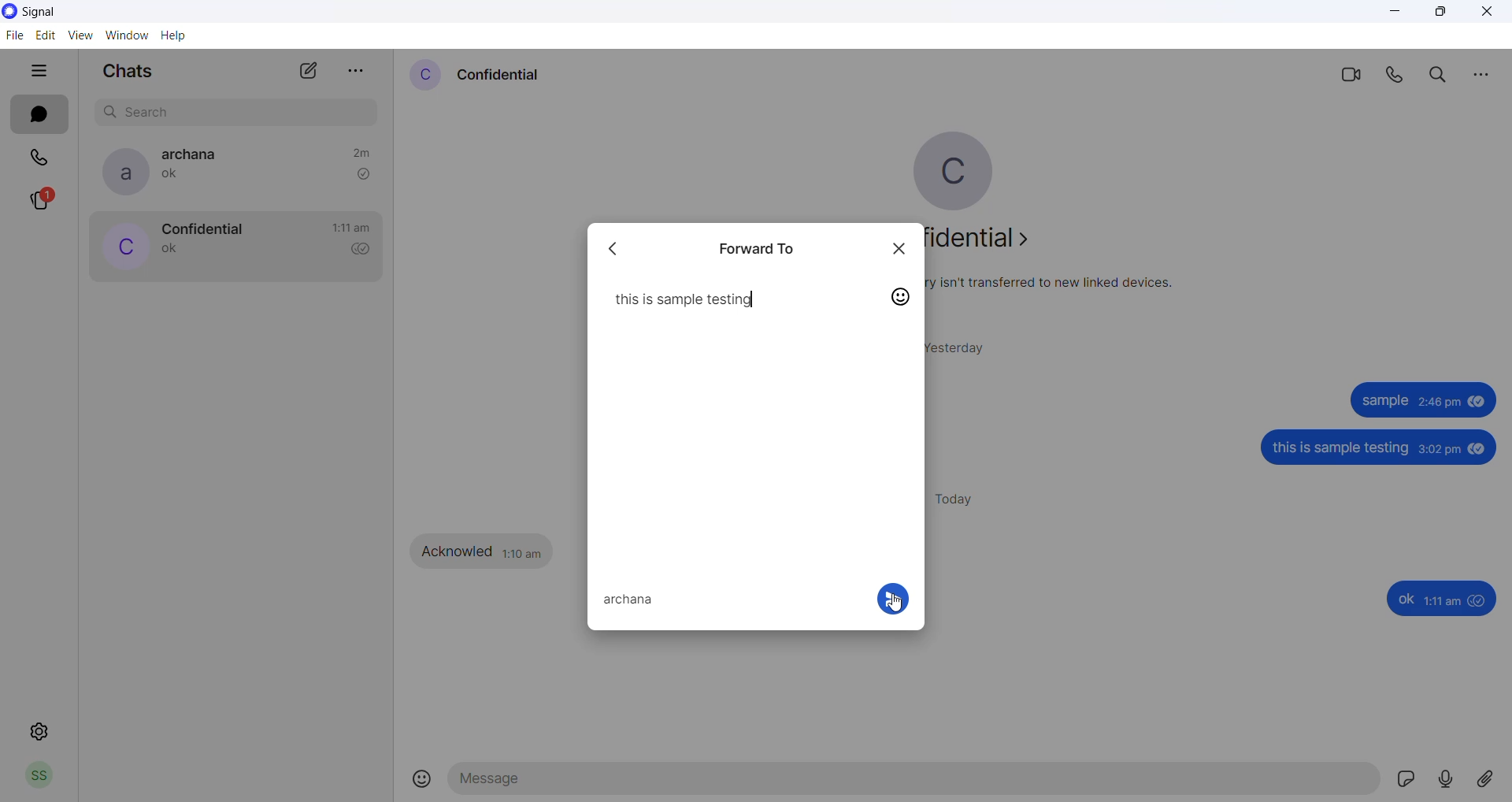 This screenshot has width=1512, height=802. Describe the element at coordinates (901, 299) in the screenshot. I see `emojis` at that location.